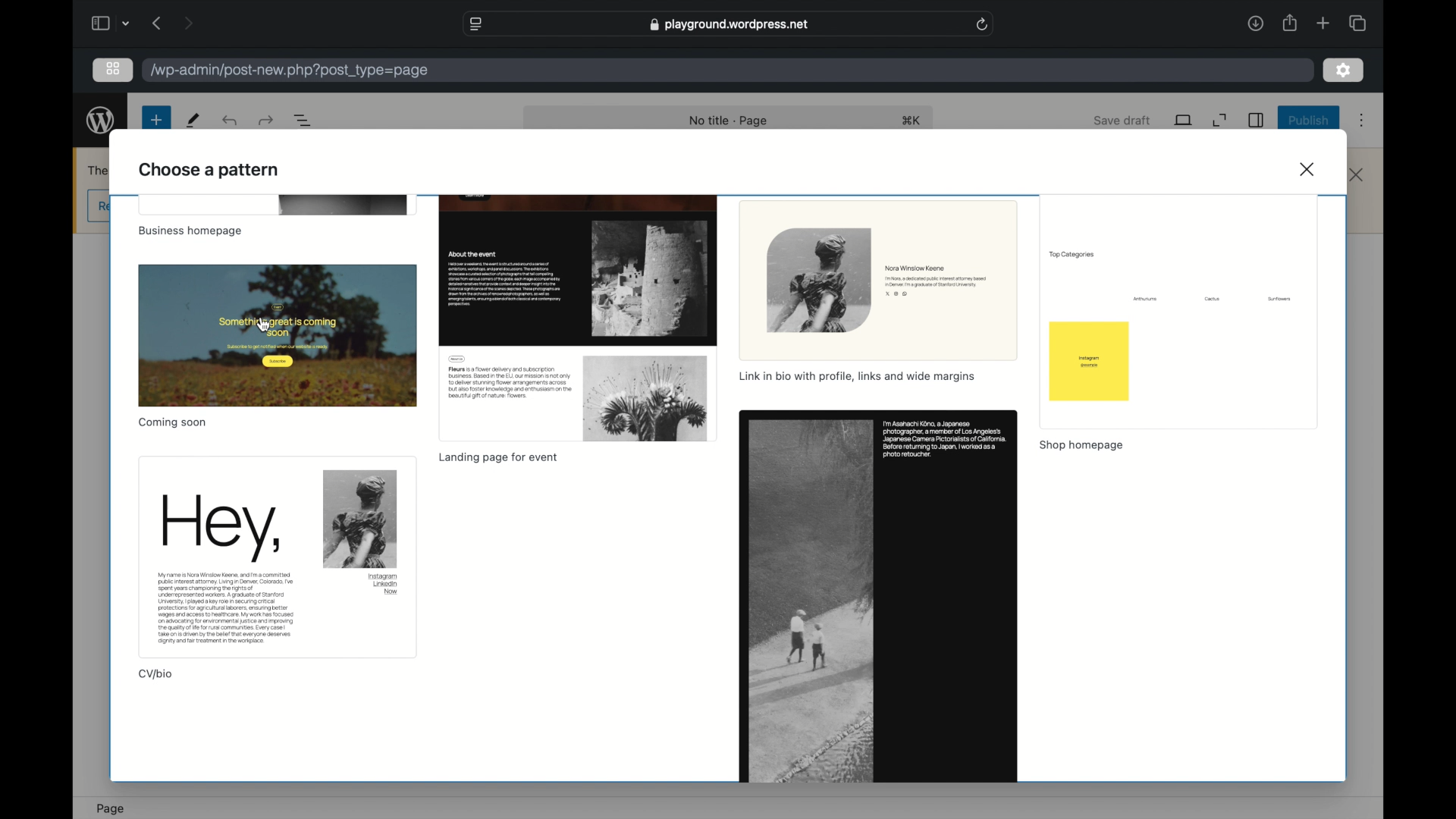 This screenshot has width=1456, height=819. I want to click on shop homepage, so click(1083, 444).